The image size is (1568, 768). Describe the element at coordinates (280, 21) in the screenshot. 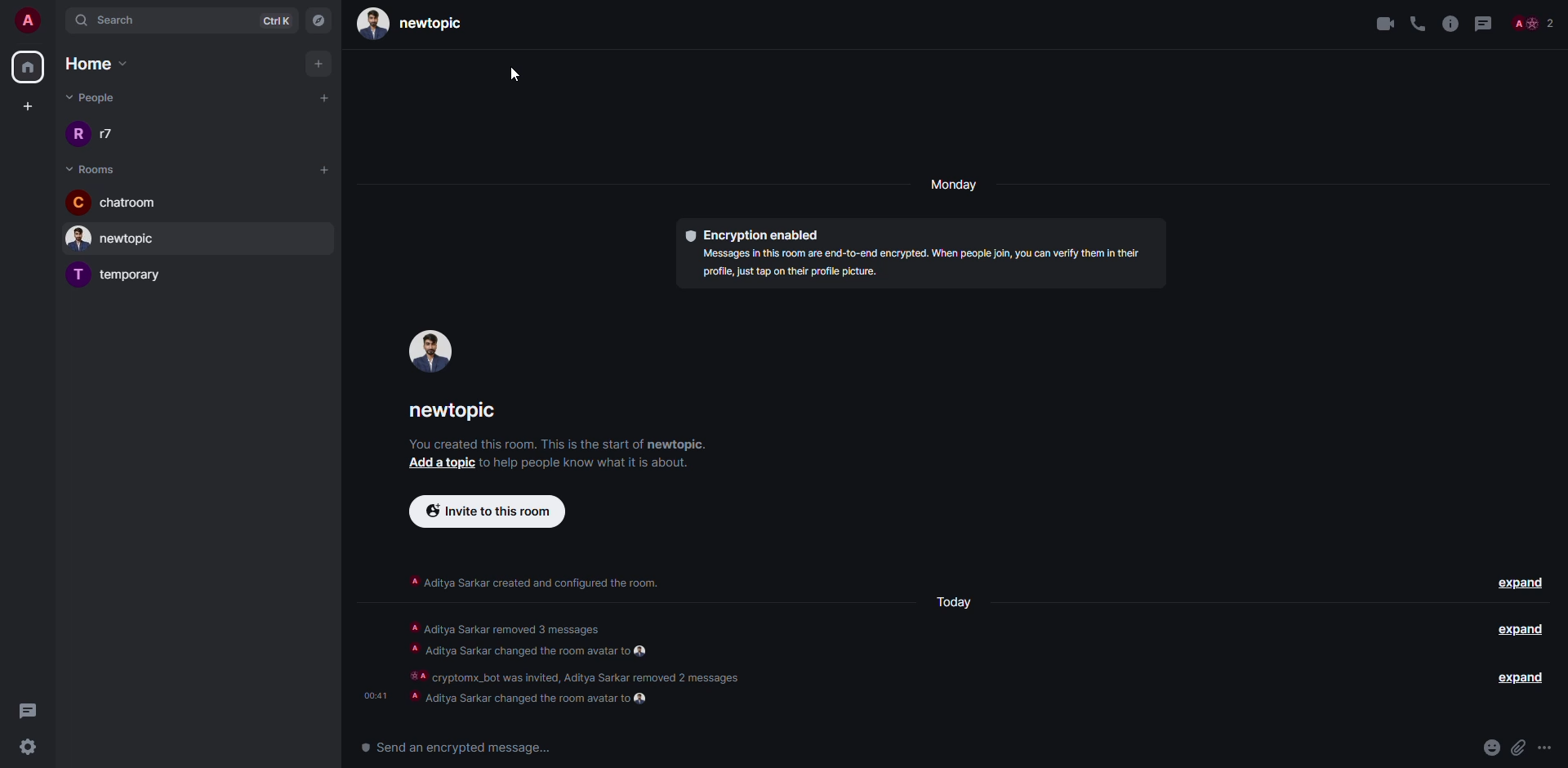

I see `ctrlK` at that location.